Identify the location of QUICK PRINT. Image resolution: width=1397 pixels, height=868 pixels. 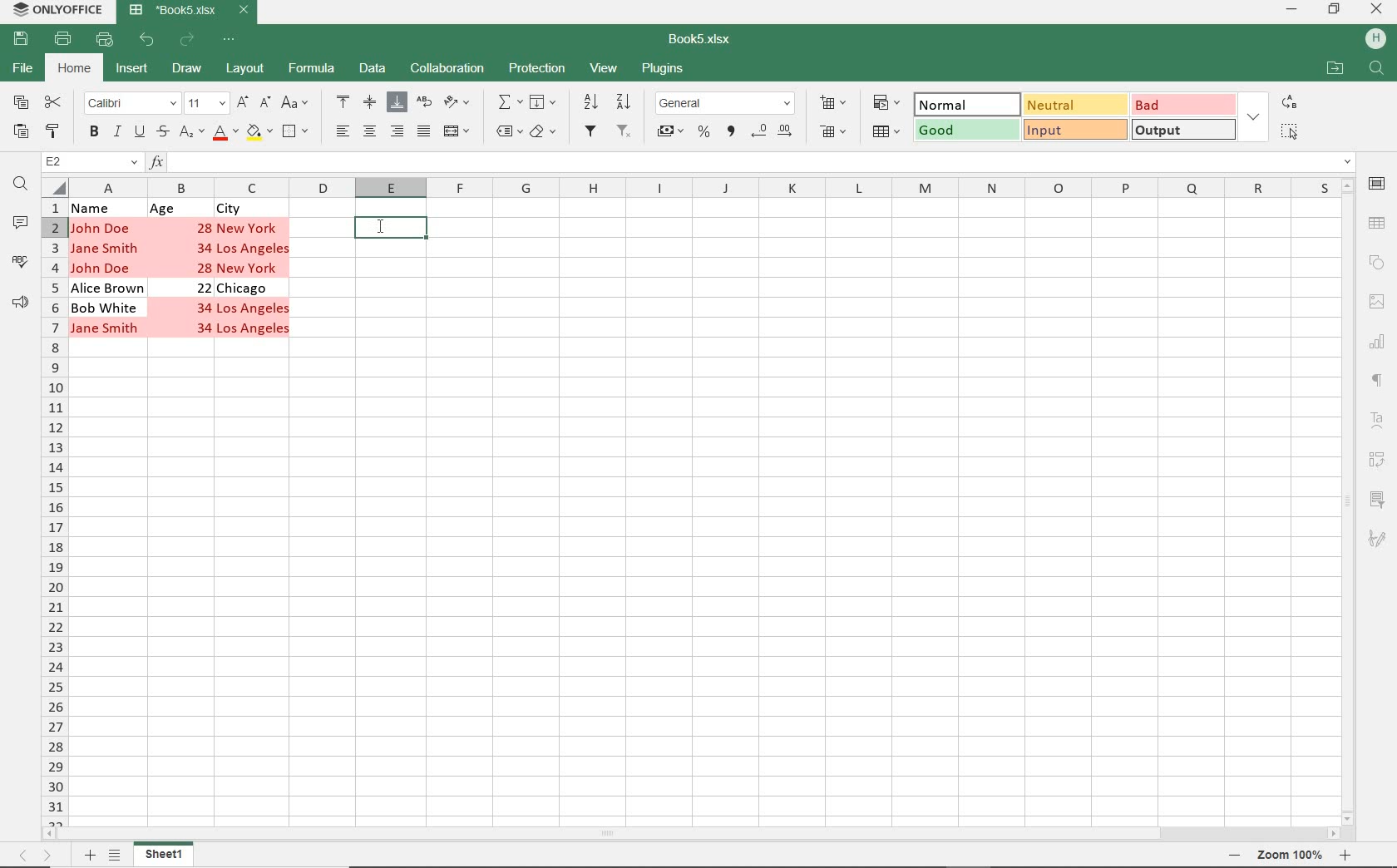
(104, 40).